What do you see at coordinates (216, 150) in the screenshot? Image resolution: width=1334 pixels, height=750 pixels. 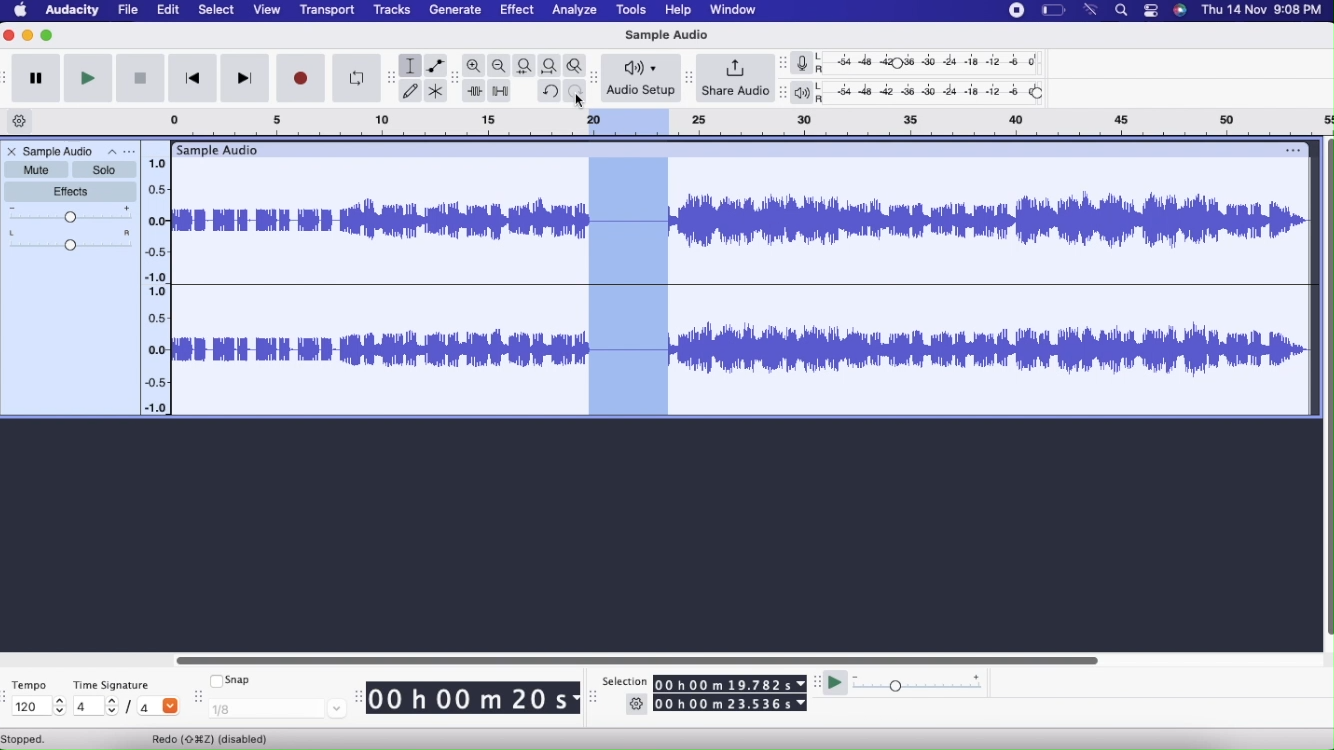 I see `sample audio` at bounding box center [216, 150].